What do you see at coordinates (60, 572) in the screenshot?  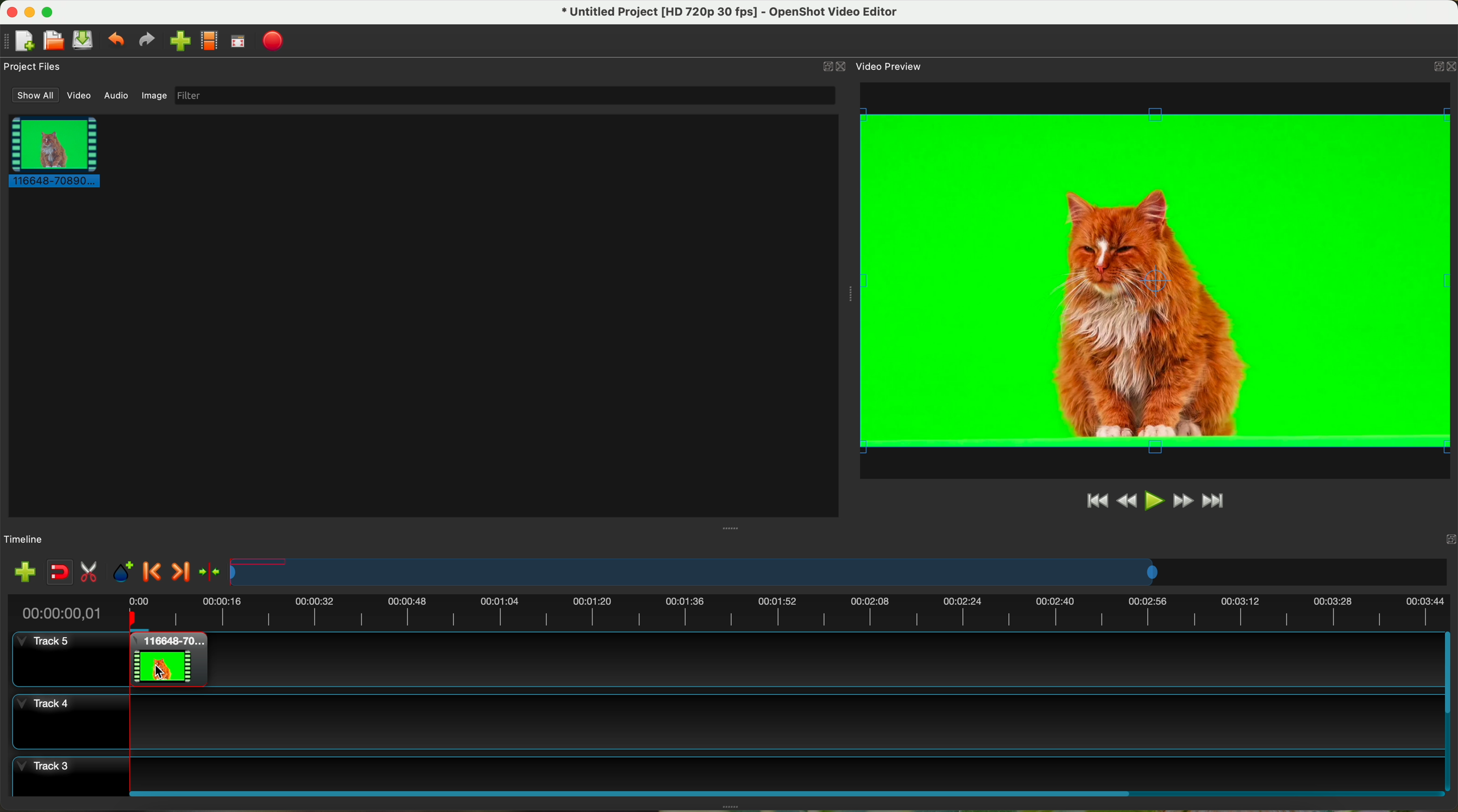 I see `disable snapping` at bounding box center [60, 572].